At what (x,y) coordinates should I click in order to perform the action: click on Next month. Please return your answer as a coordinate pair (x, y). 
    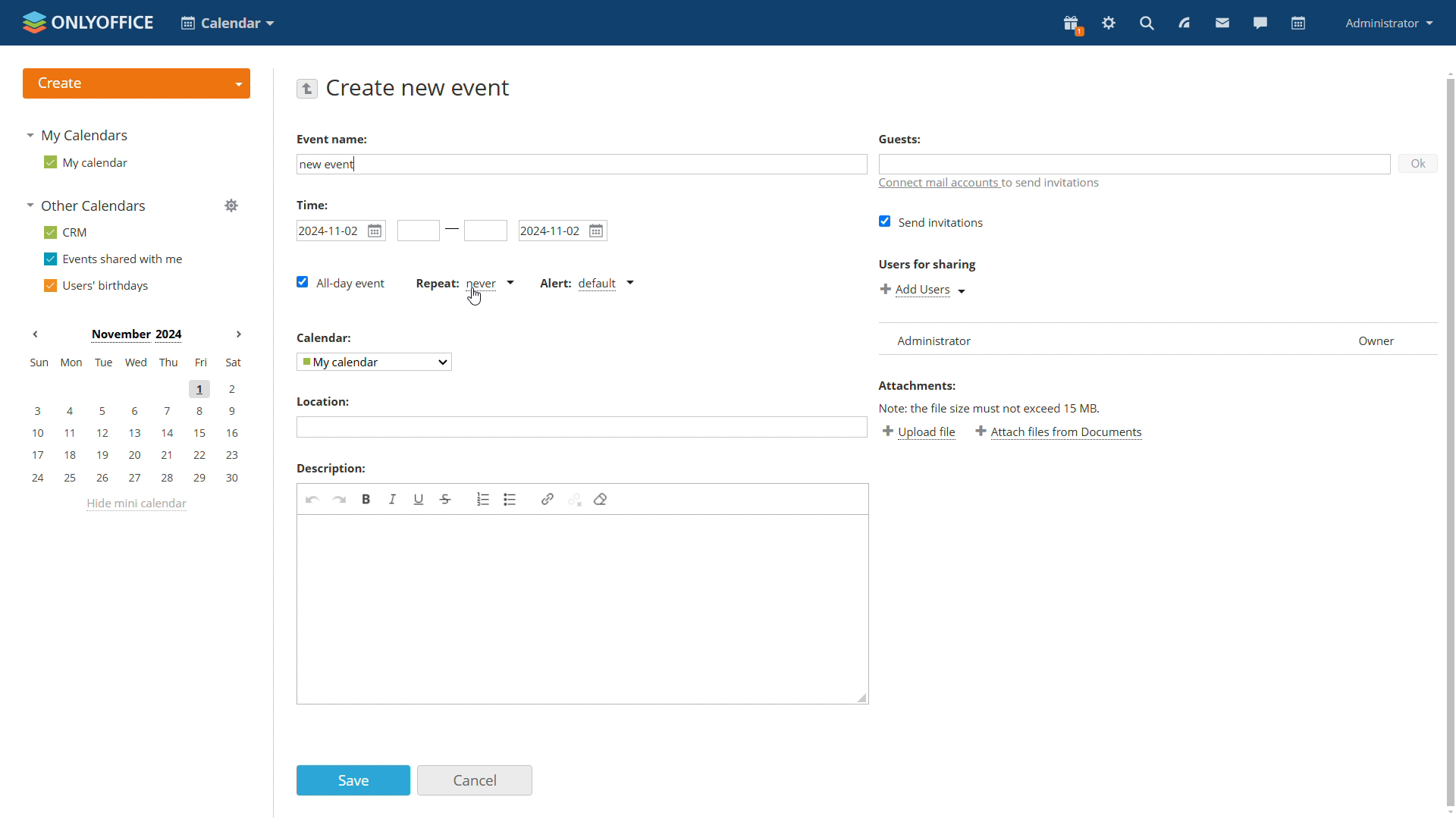
    Looking at the image, I should click on (238, 334).